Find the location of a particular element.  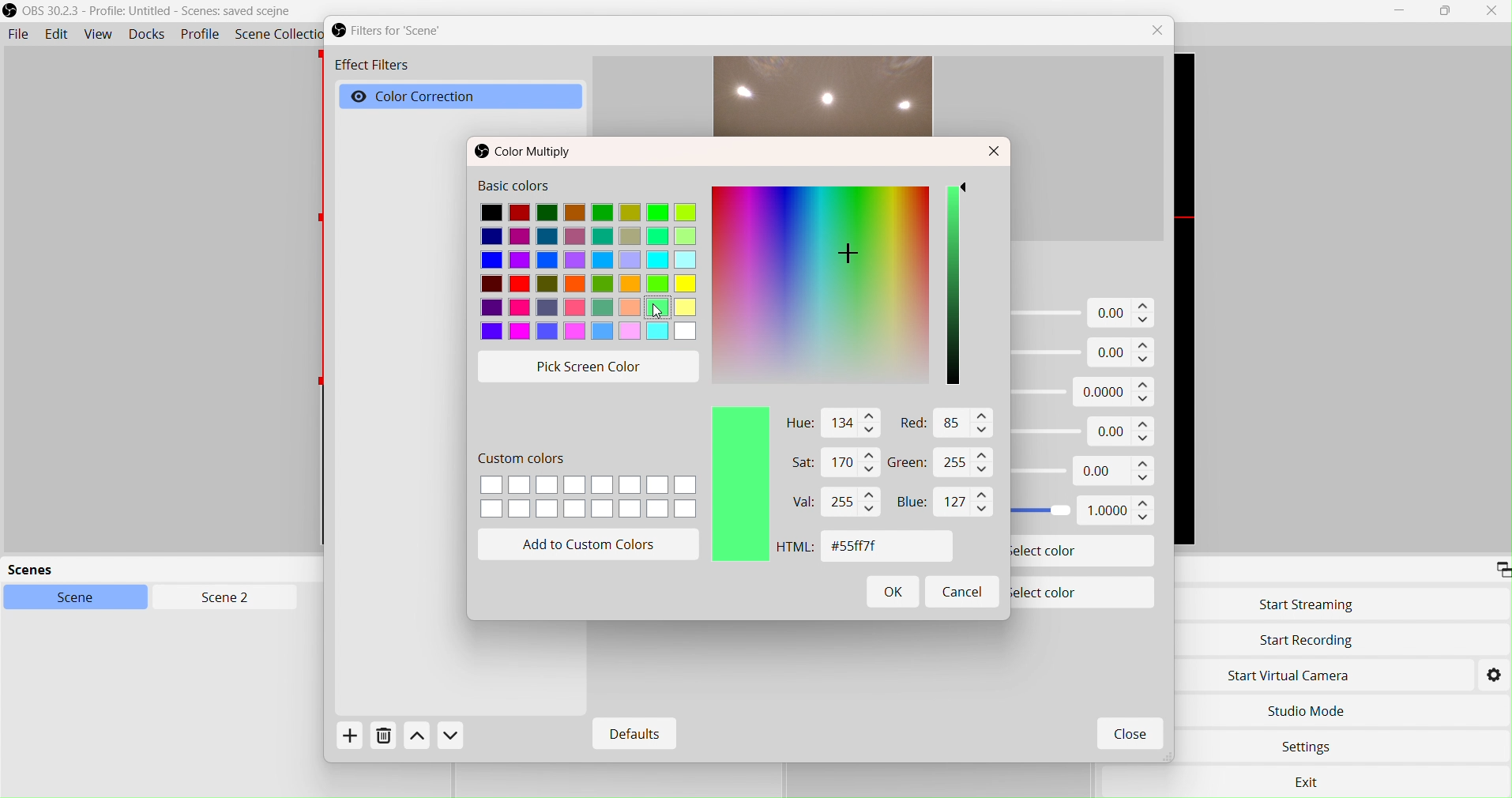

HTML: #55ff7f is located at coordinates (858, 548).